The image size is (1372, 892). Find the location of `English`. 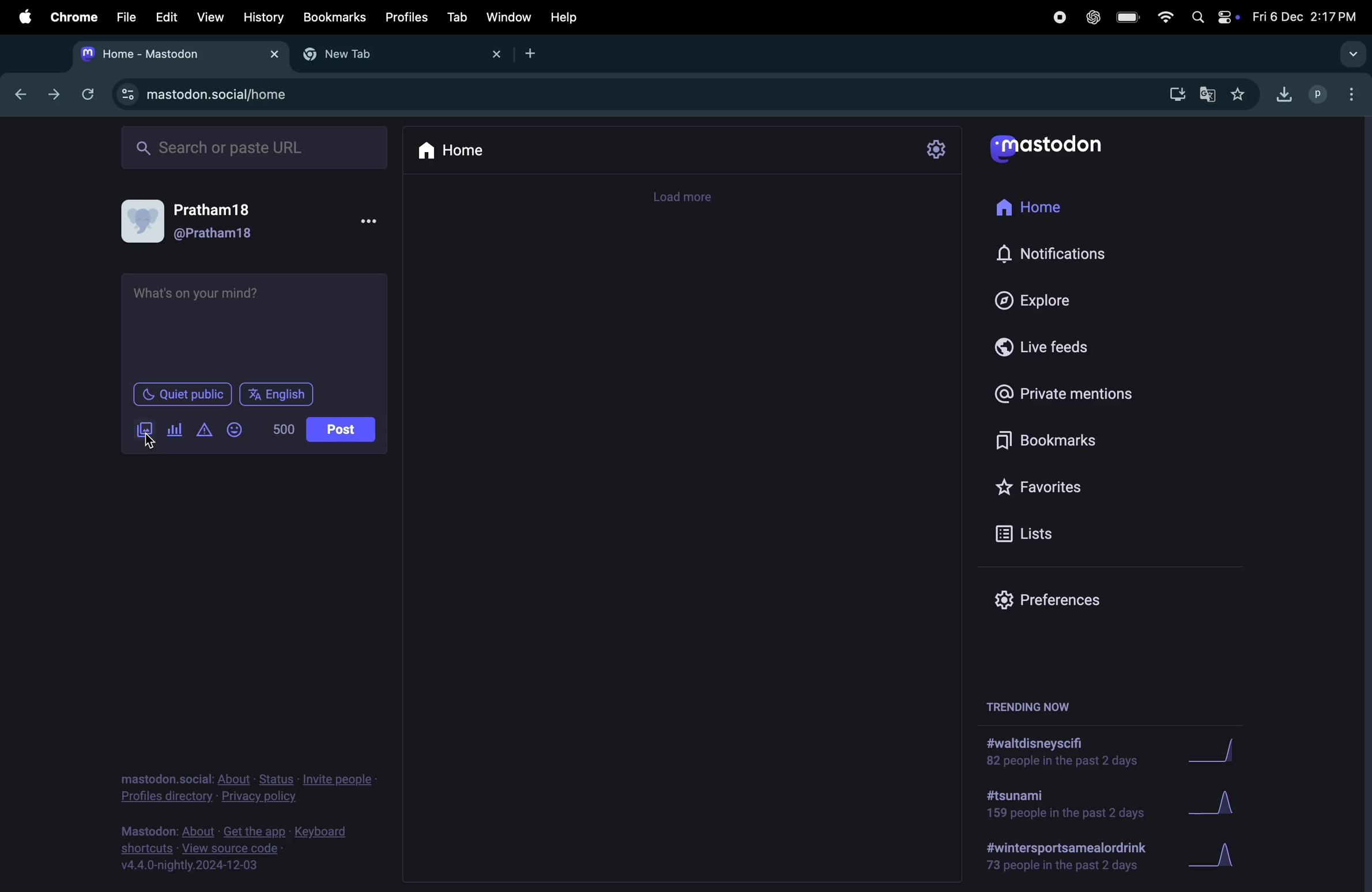

English is located at coordinates (276, 394).